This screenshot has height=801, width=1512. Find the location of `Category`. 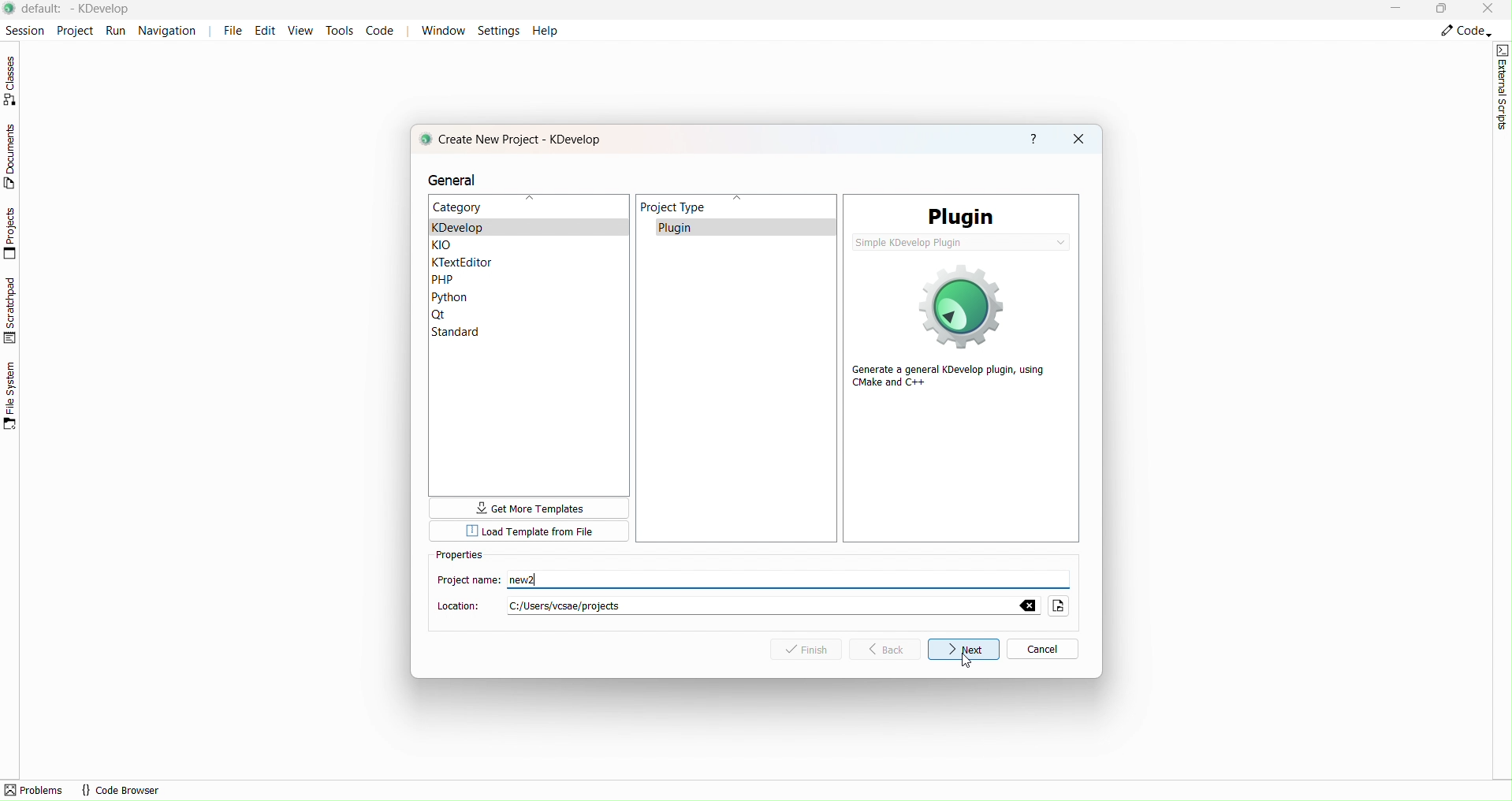

Category is located at coordinates (459, 208).